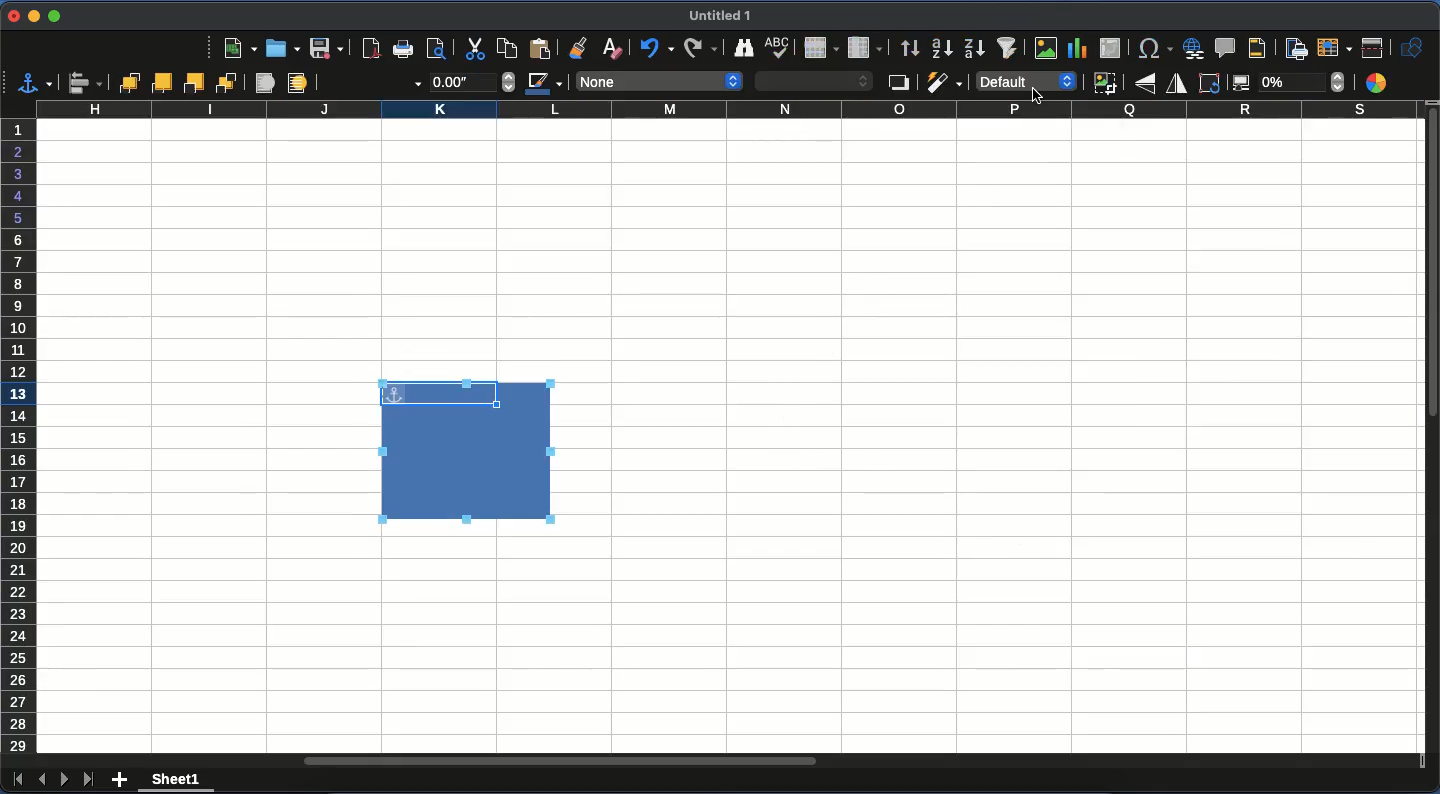 Image resolution: width=1440 pixels, height=794 pixels. I want to click on select anchor for object, so click(35, 82).